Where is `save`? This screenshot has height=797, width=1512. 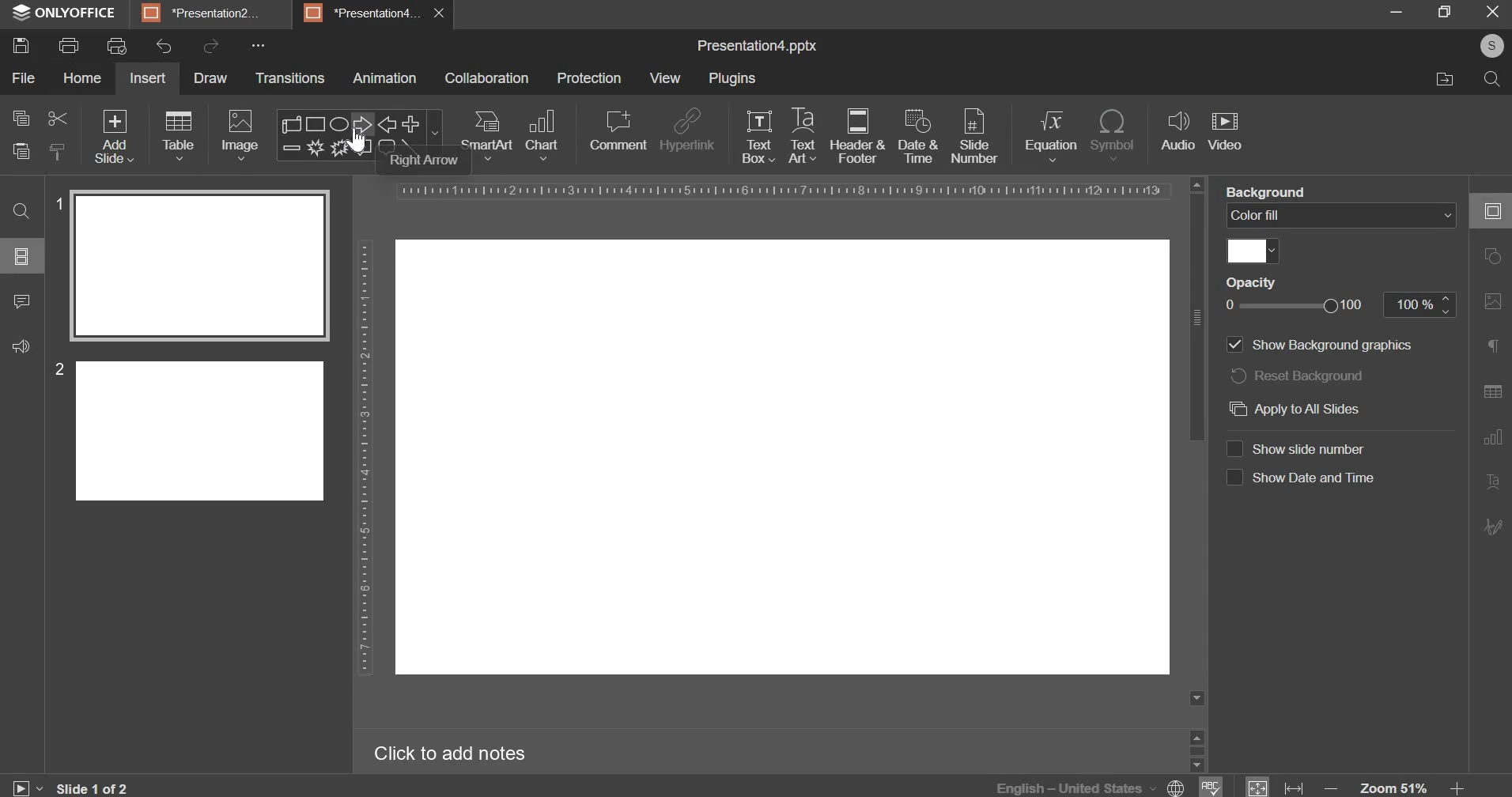 save is located at coordinates (24, 47).